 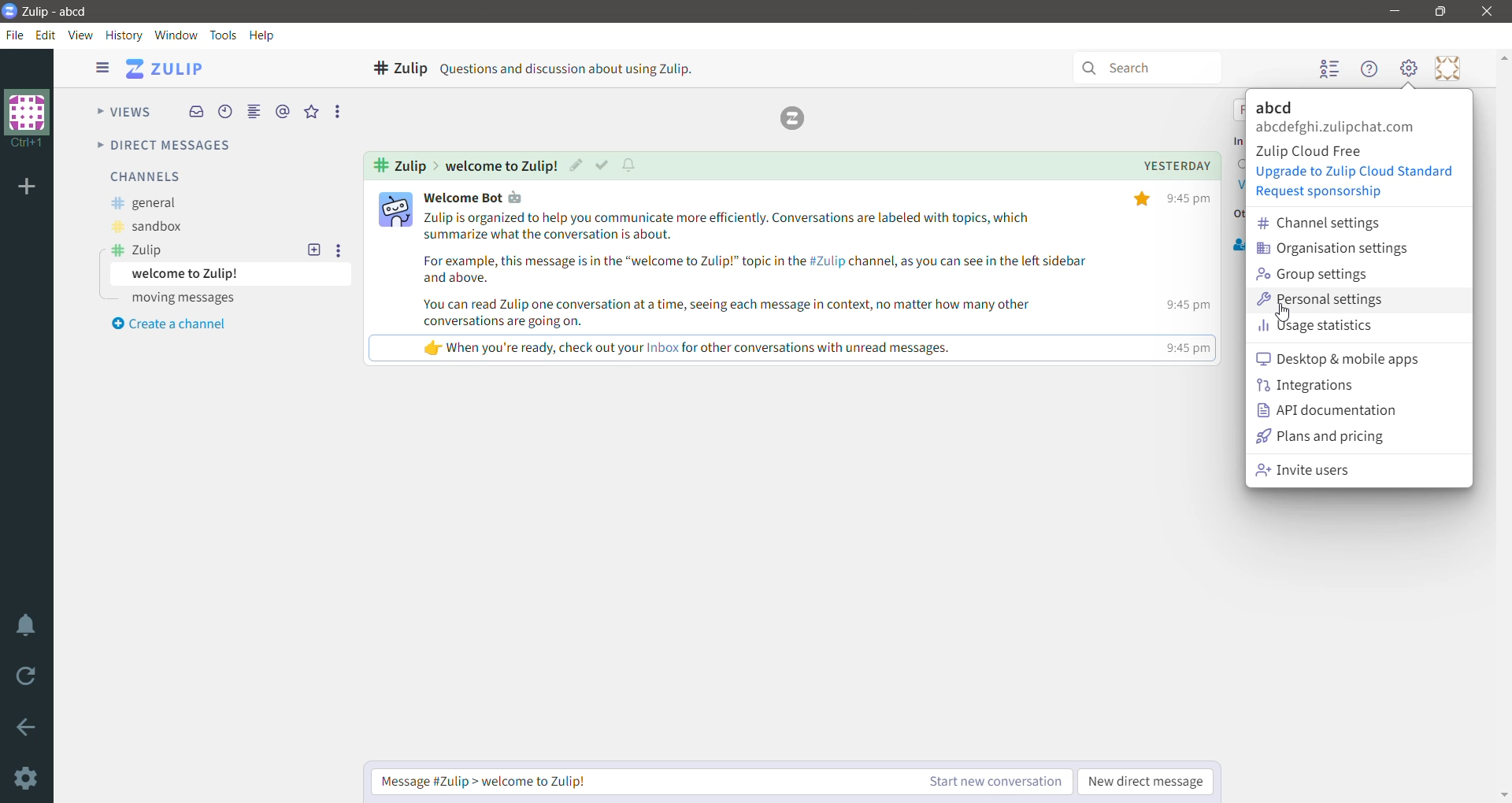 What do you see at coordinates (254, 112) in the screenshot?
I see `Combined feed` at bounding box center [254, 112].